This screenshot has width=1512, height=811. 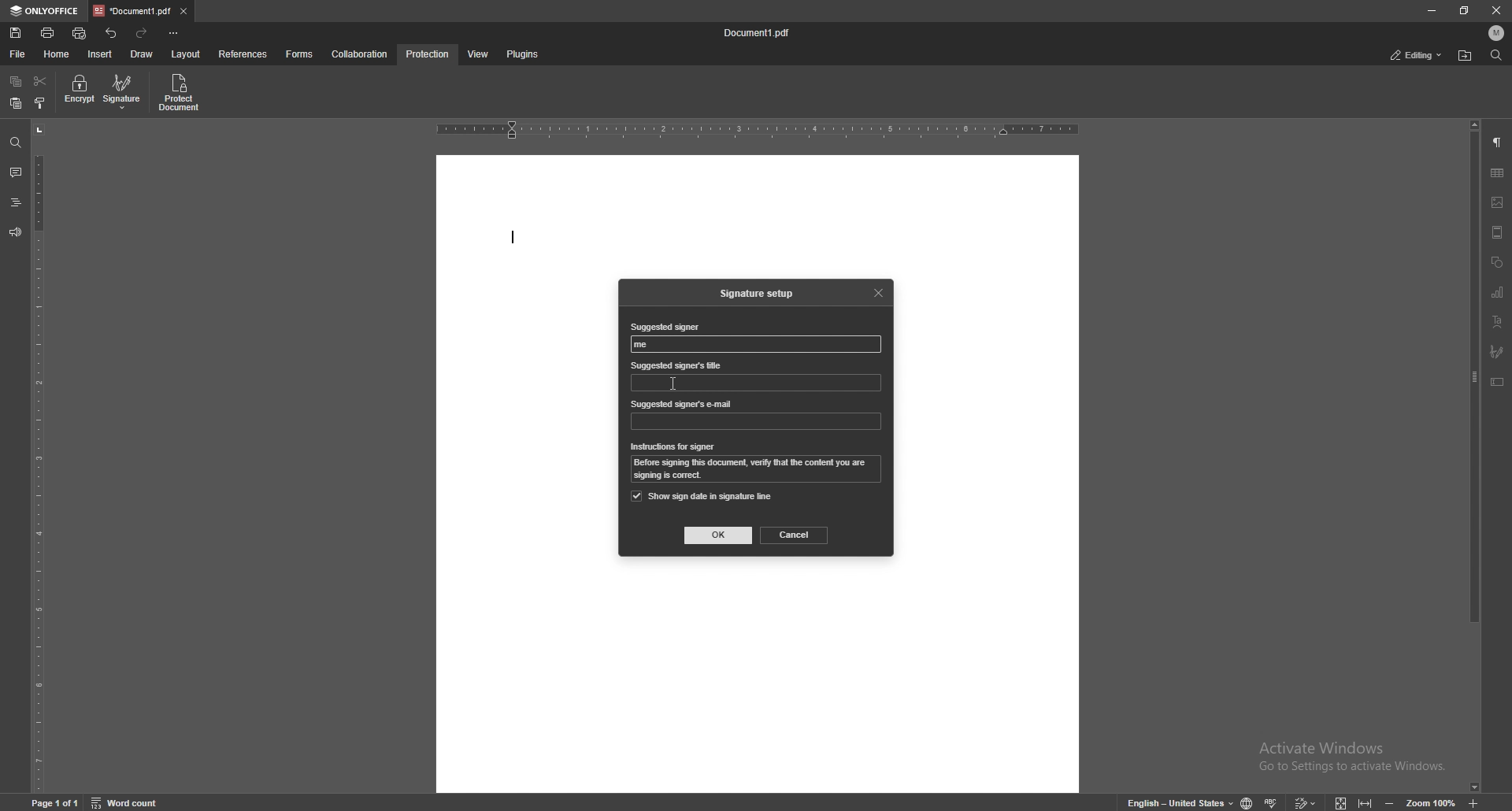 What do you see at coordinates (1431, 9) in the screenshot?
I see `minimize` at bounding box center [1431, 9].